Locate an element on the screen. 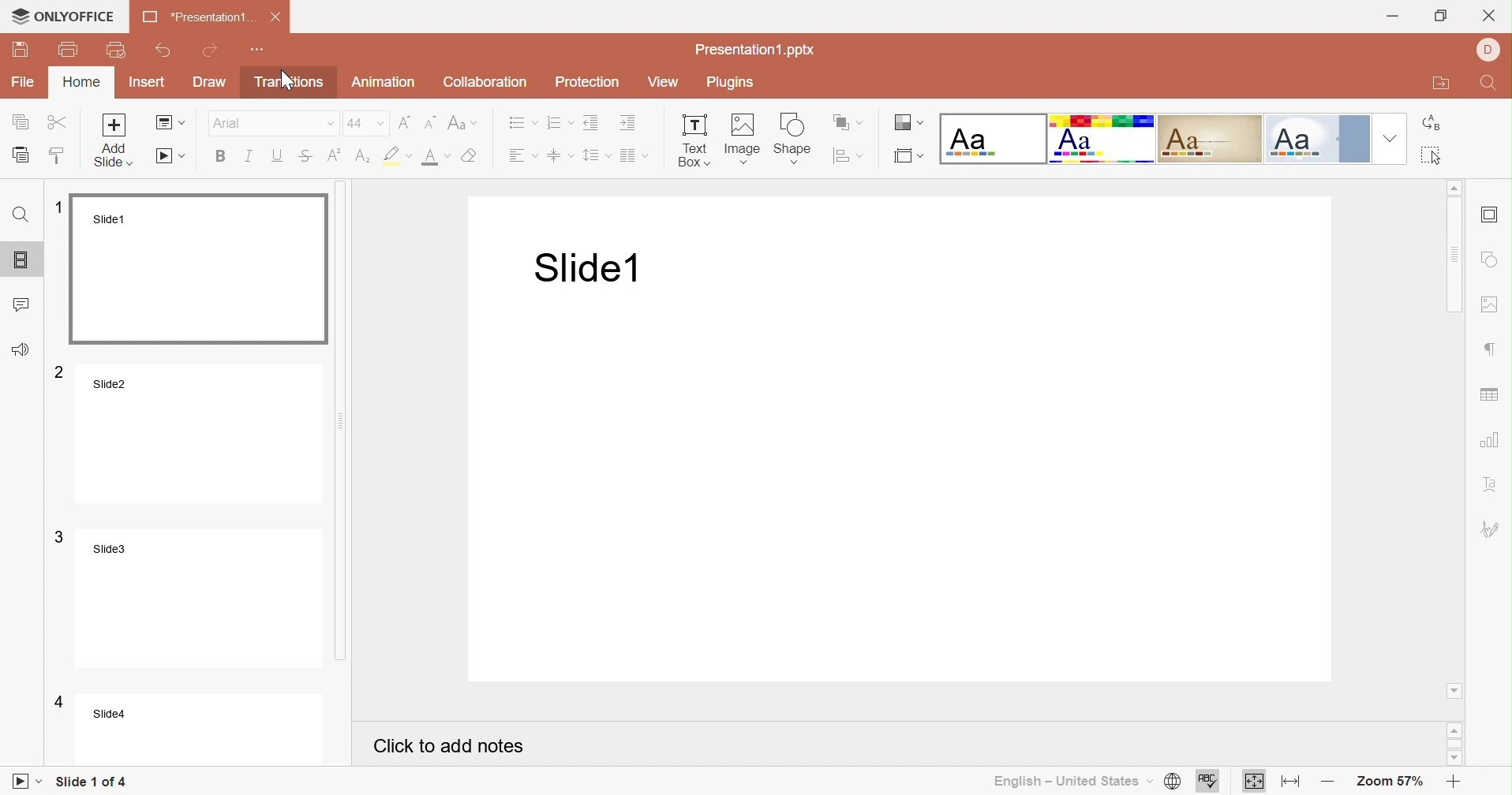 The width and height of the screenshot is (1512, 795). Italic is located at coordinates (253, 156).